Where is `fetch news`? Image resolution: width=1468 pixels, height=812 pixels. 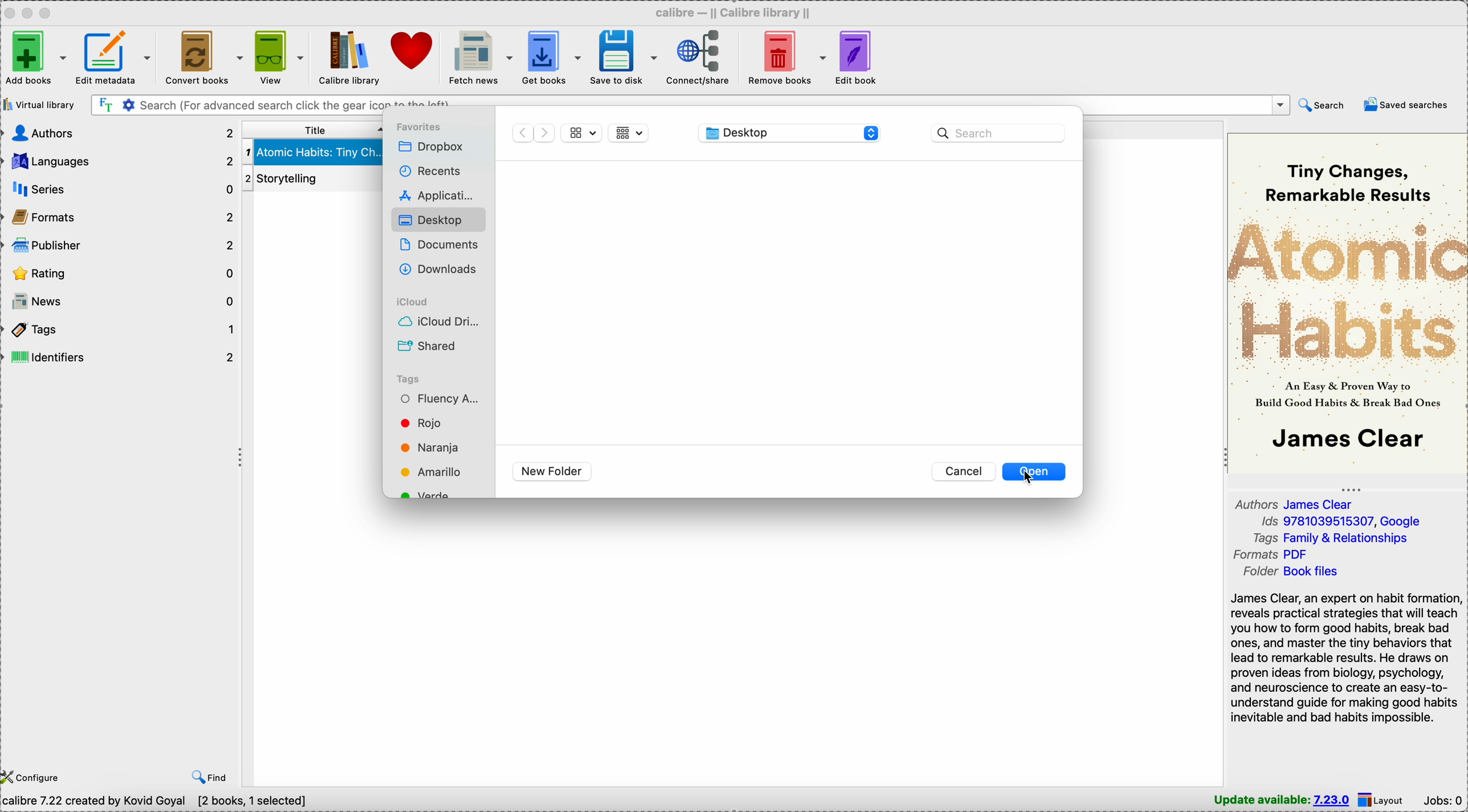 fetch news is located at coordinates (478, 56).